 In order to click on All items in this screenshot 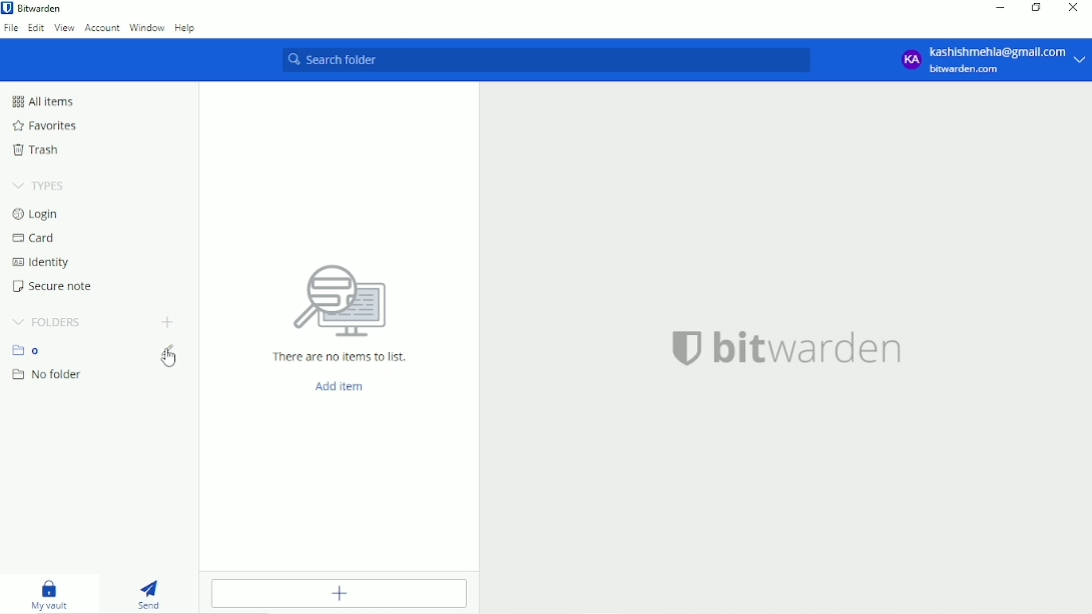, I will do `click(42, 101)`.